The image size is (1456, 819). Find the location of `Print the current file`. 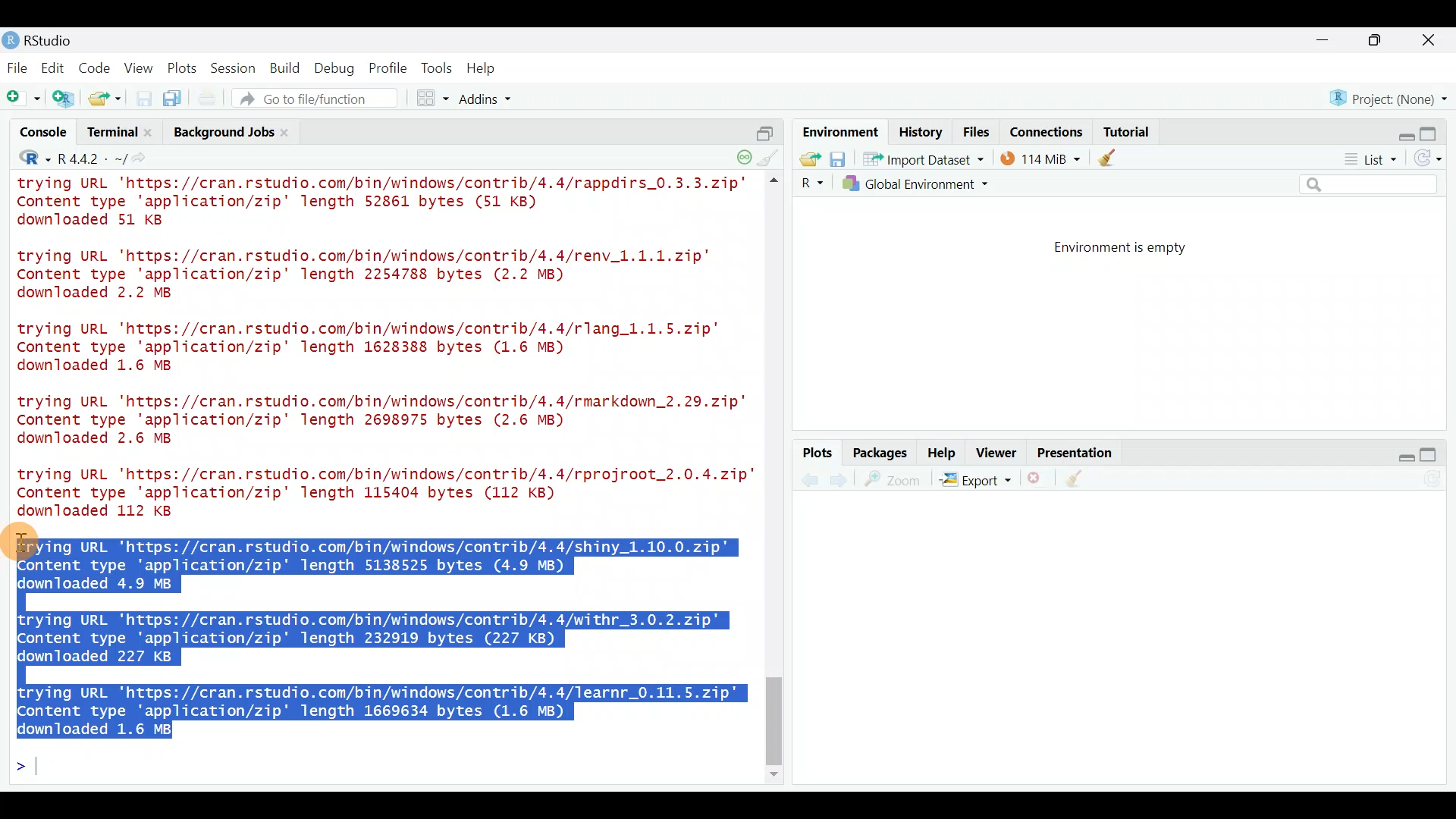

Print the current file is located at coordinates (209, 99).